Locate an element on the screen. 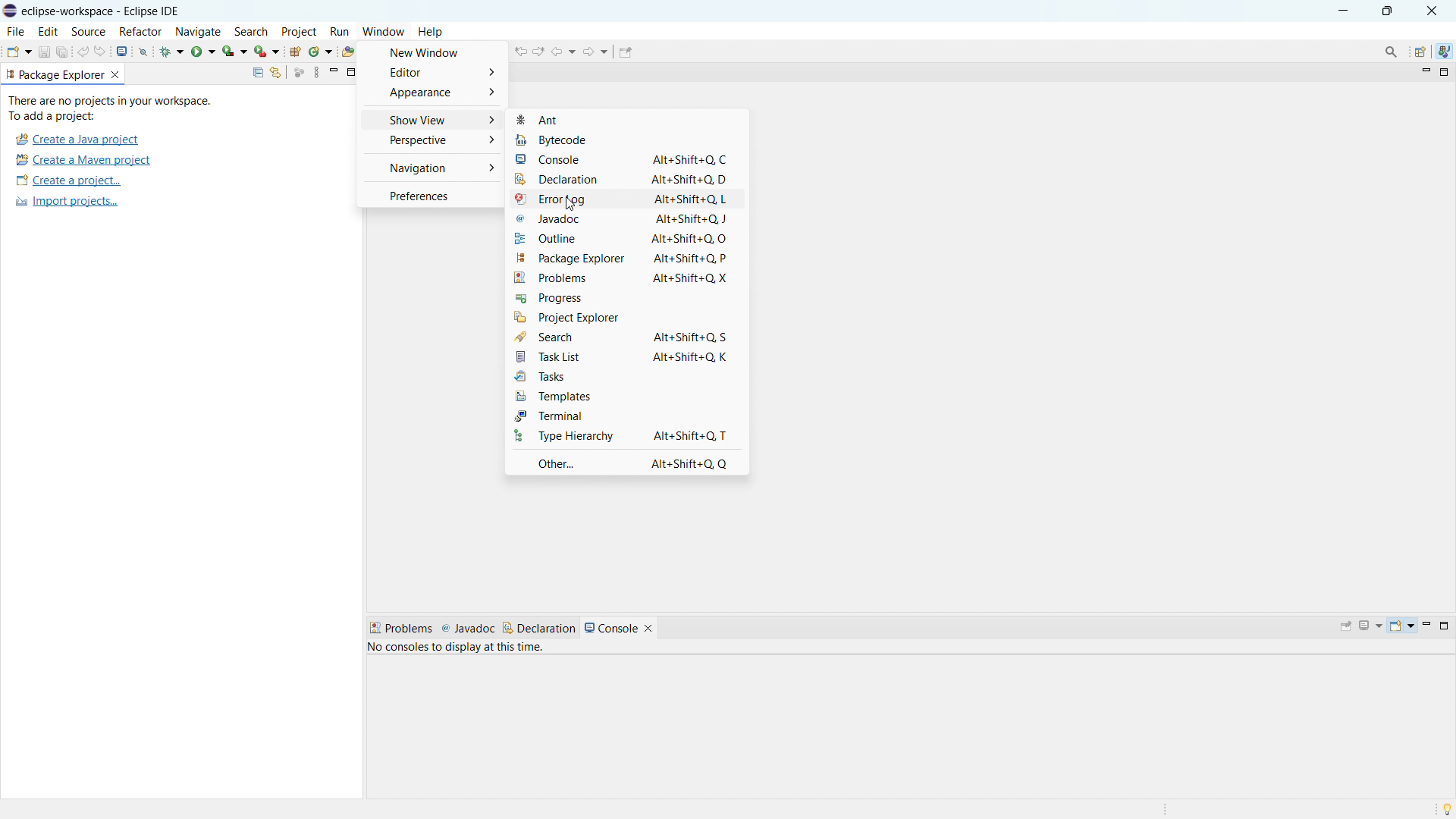 The height and width of the screenshot is (819, 1456). new is located at coordinates (17, 51).